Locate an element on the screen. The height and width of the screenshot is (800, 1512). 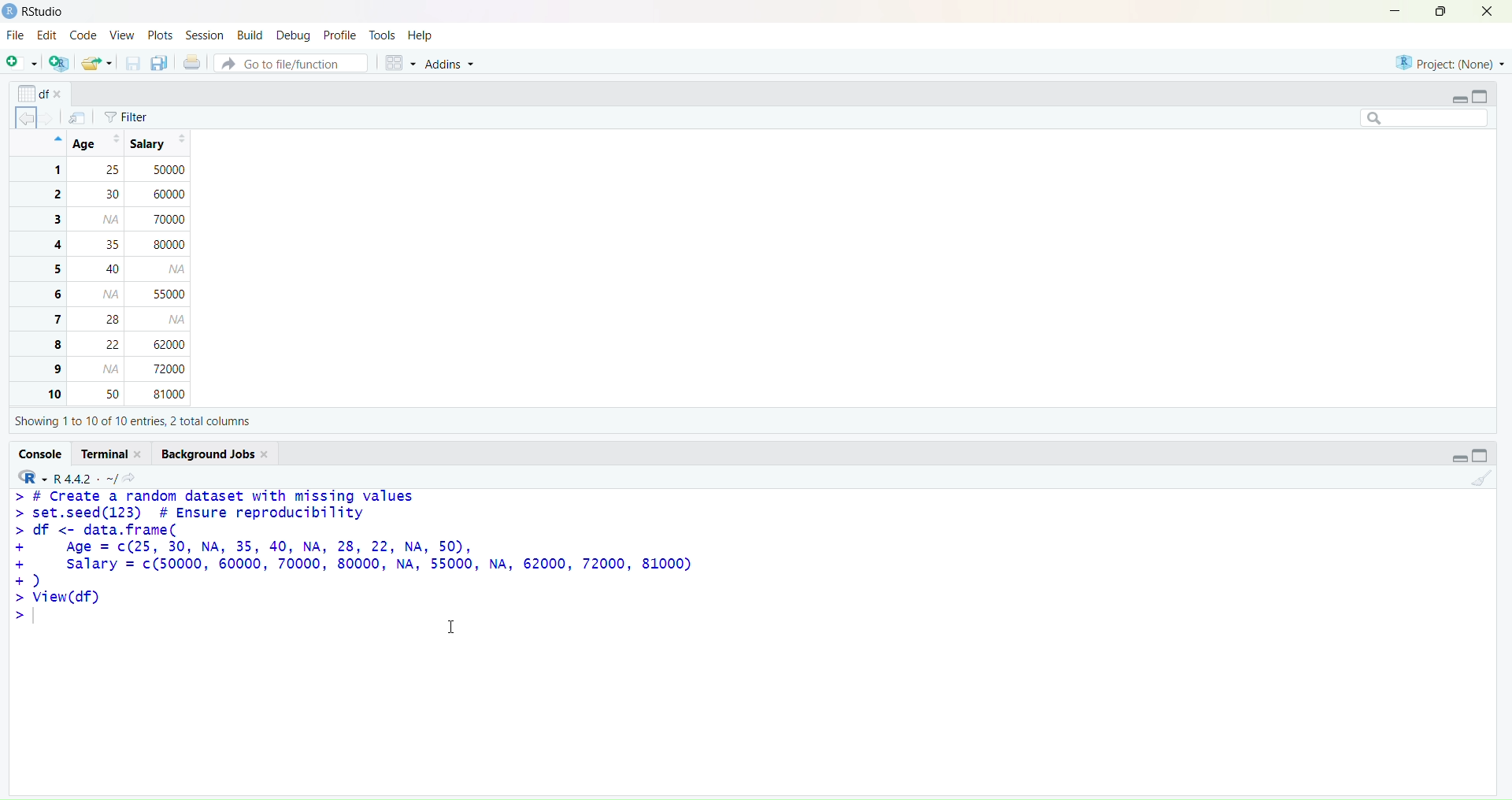
plots is located at coordinates (160, 34).